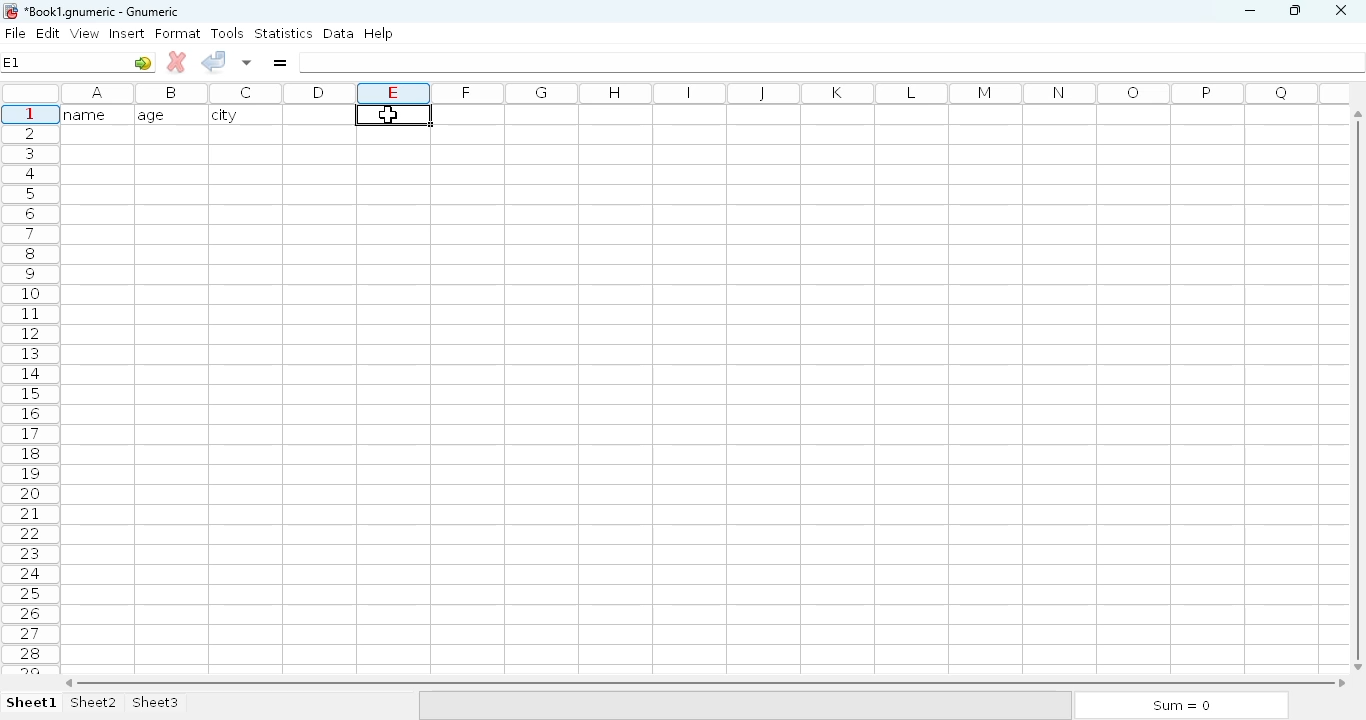 This screenshot has height=720, width=1366. Describe the element at coordinates (9, 11) in the screenshot. I see `logo` at that location.